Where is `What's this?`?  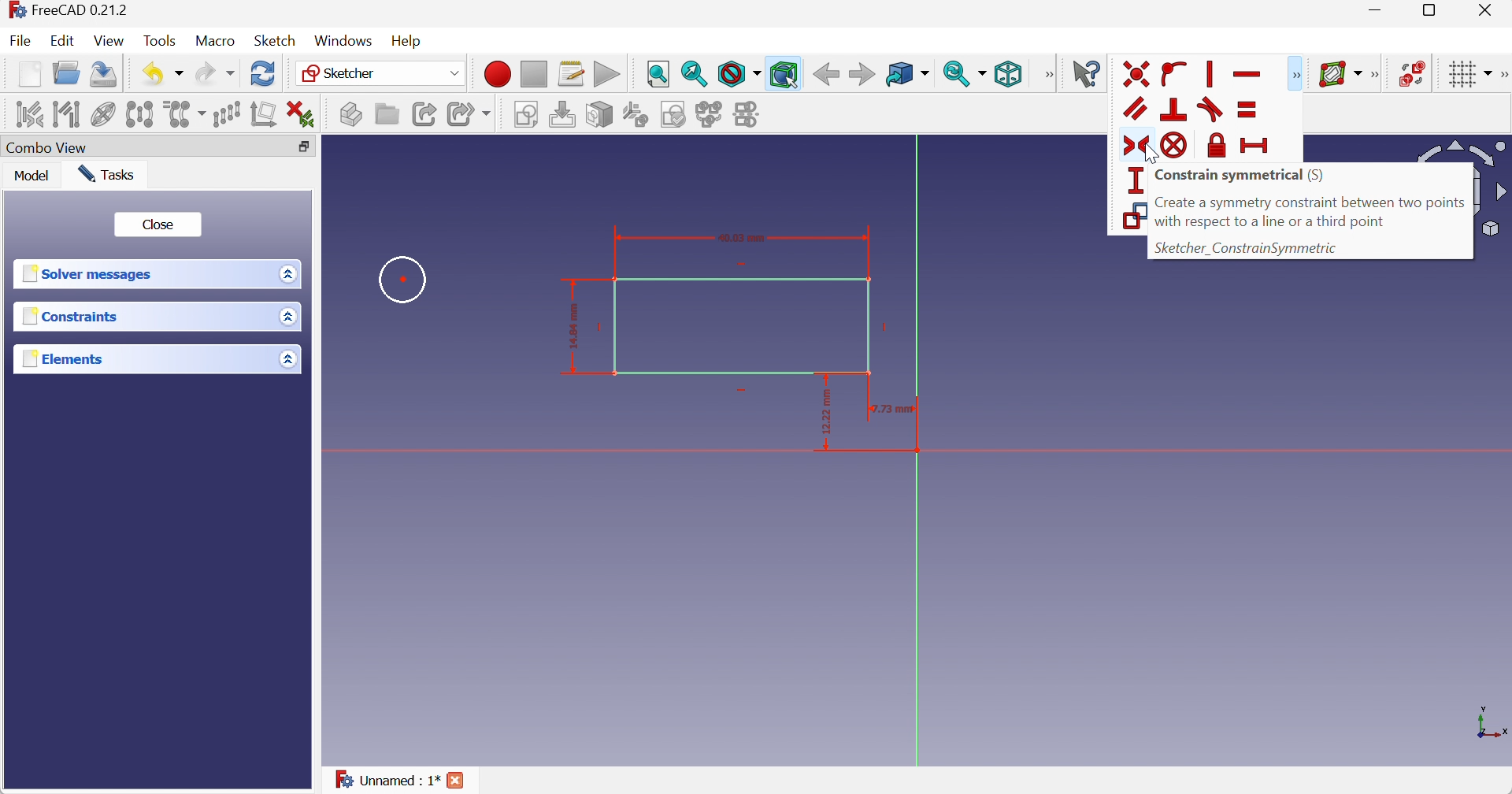 What's this? is located at coordinates (1087, 73).